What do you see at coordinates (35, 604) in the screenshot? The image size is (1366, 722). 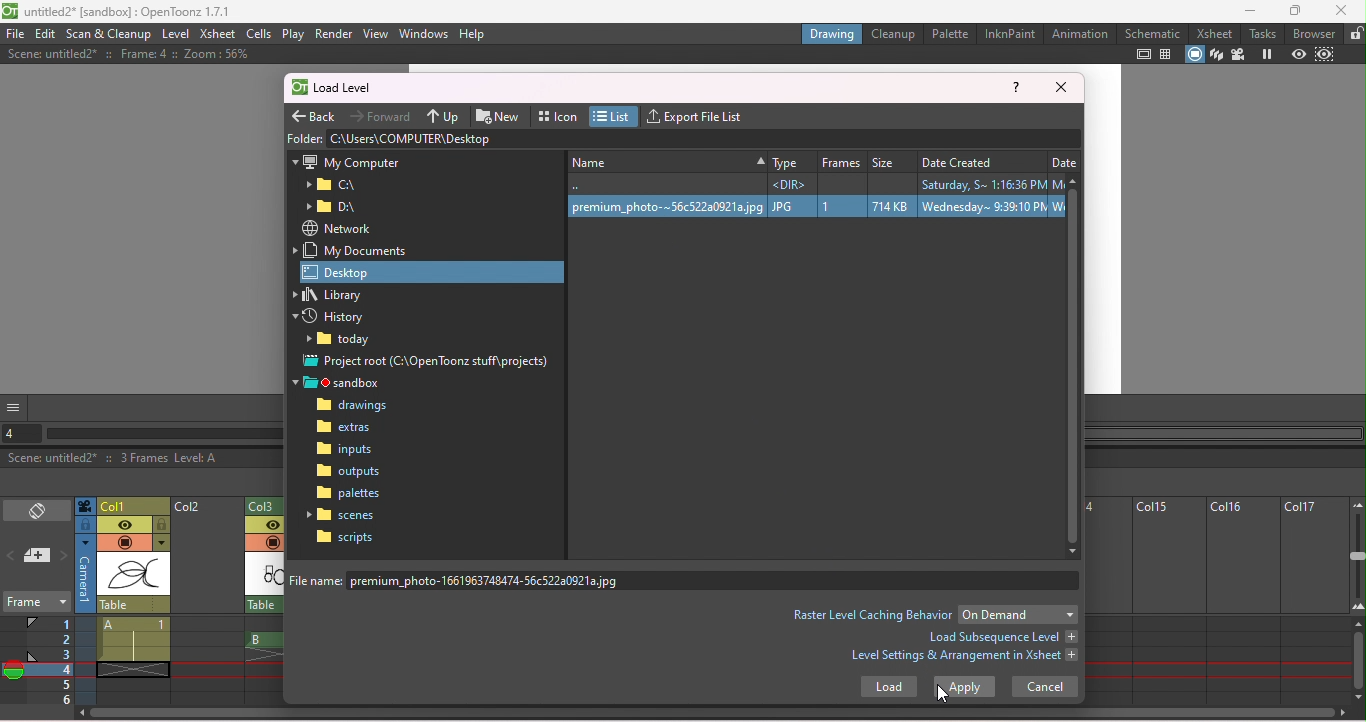 I see `Frame` at bounding box center [35, 604].